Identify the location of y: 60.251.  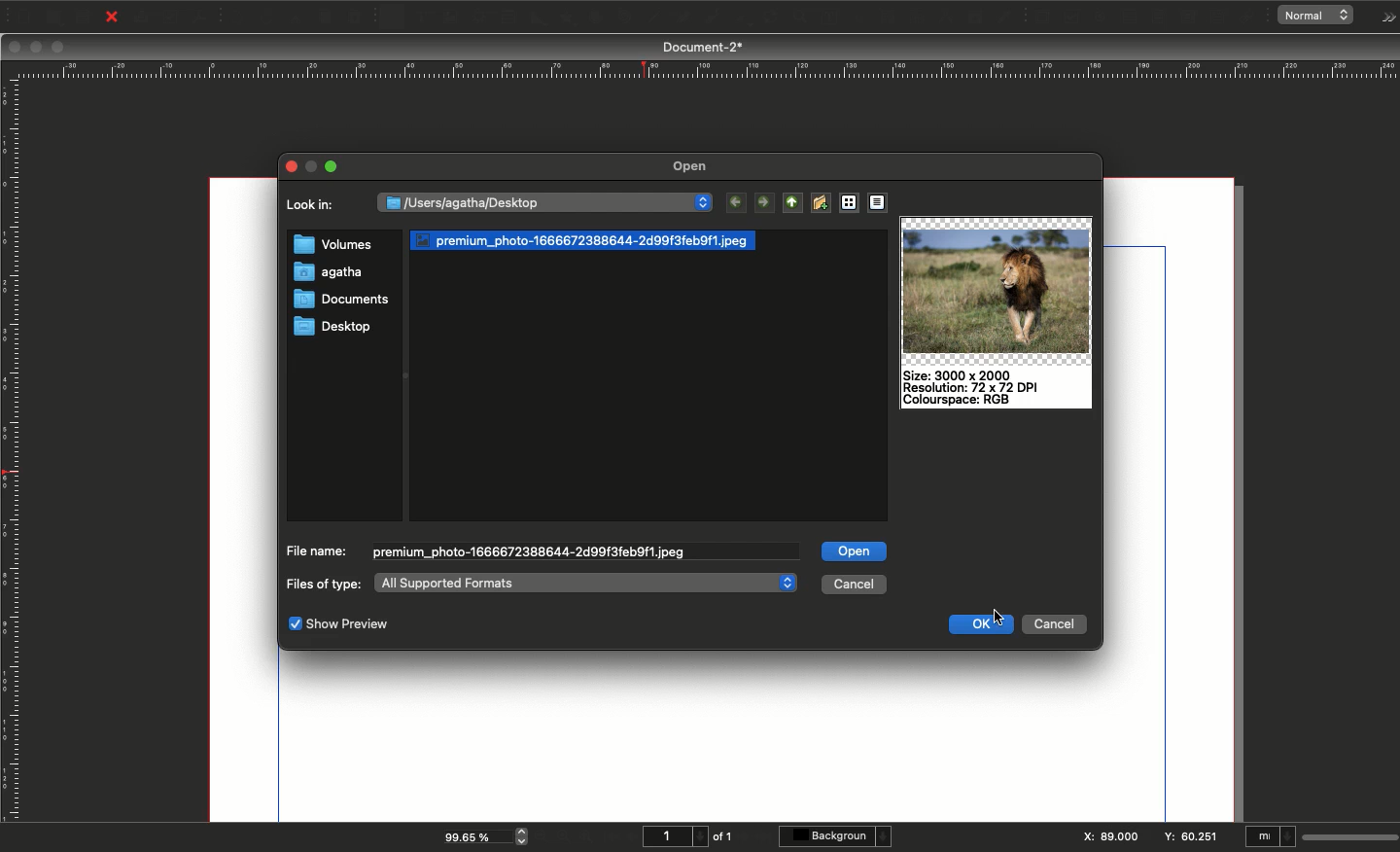
(1189, 834).